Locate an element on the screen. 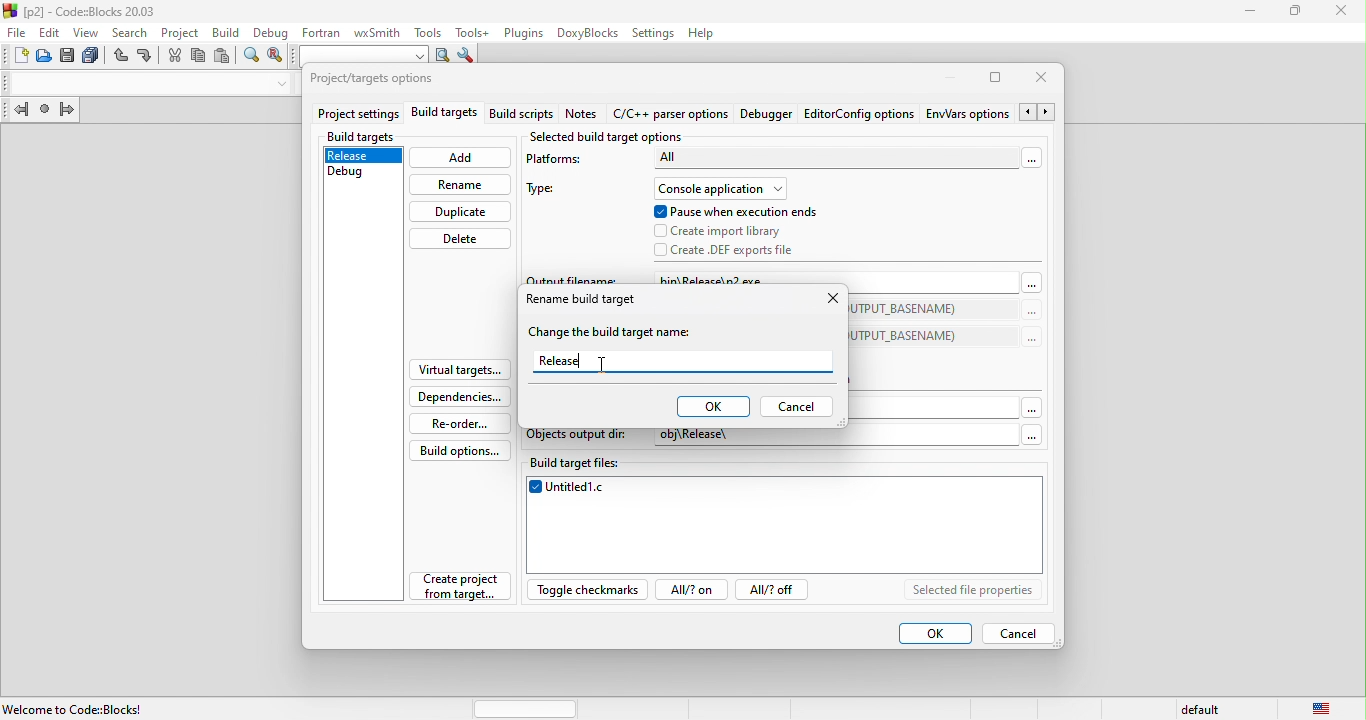  project is located at coordinates (179, 31).